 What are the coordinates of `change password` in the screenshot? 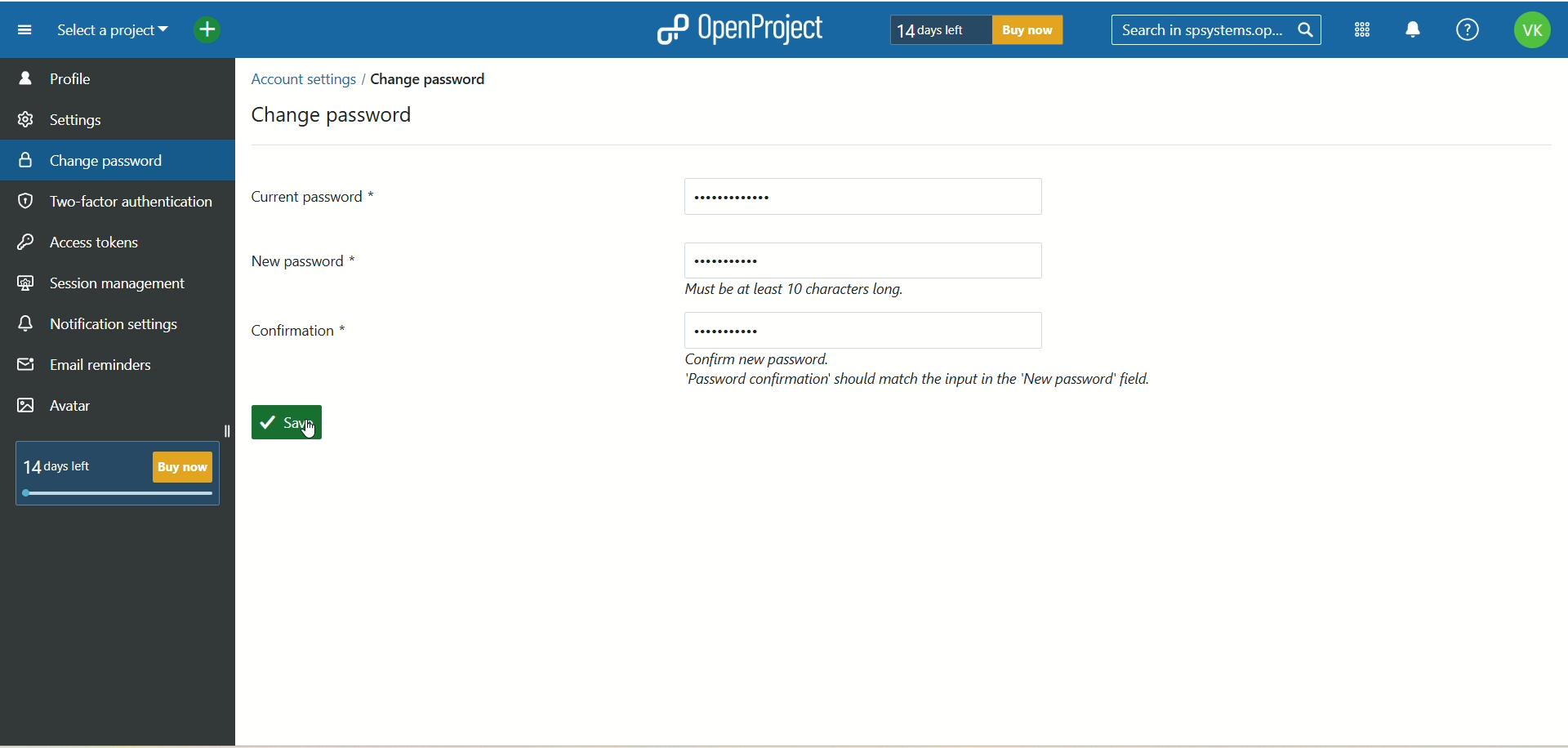 It's located at (435, 78).